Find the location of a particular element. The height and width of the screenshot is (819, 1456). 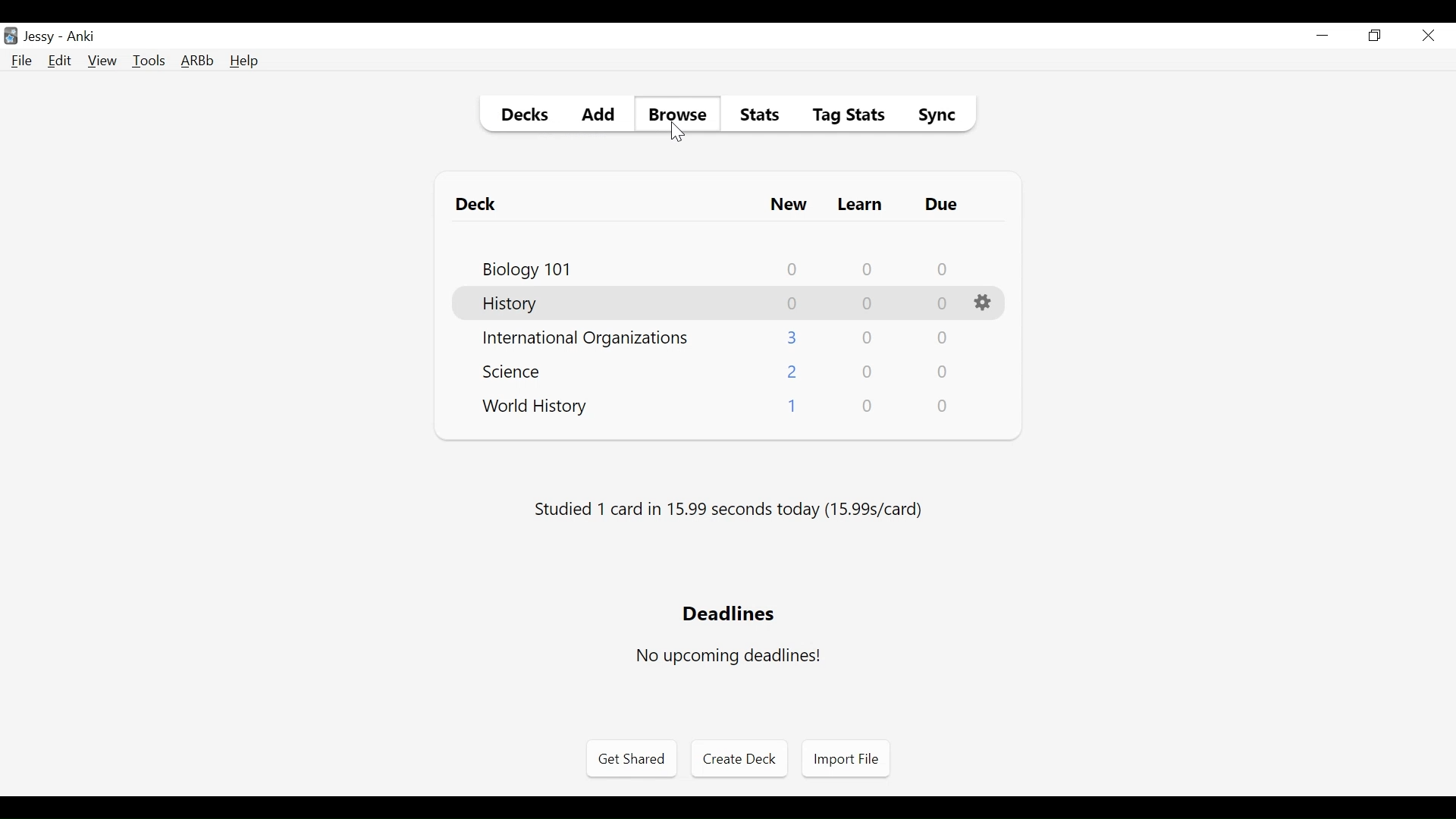

Import Files is located at coordinates (846, 761).